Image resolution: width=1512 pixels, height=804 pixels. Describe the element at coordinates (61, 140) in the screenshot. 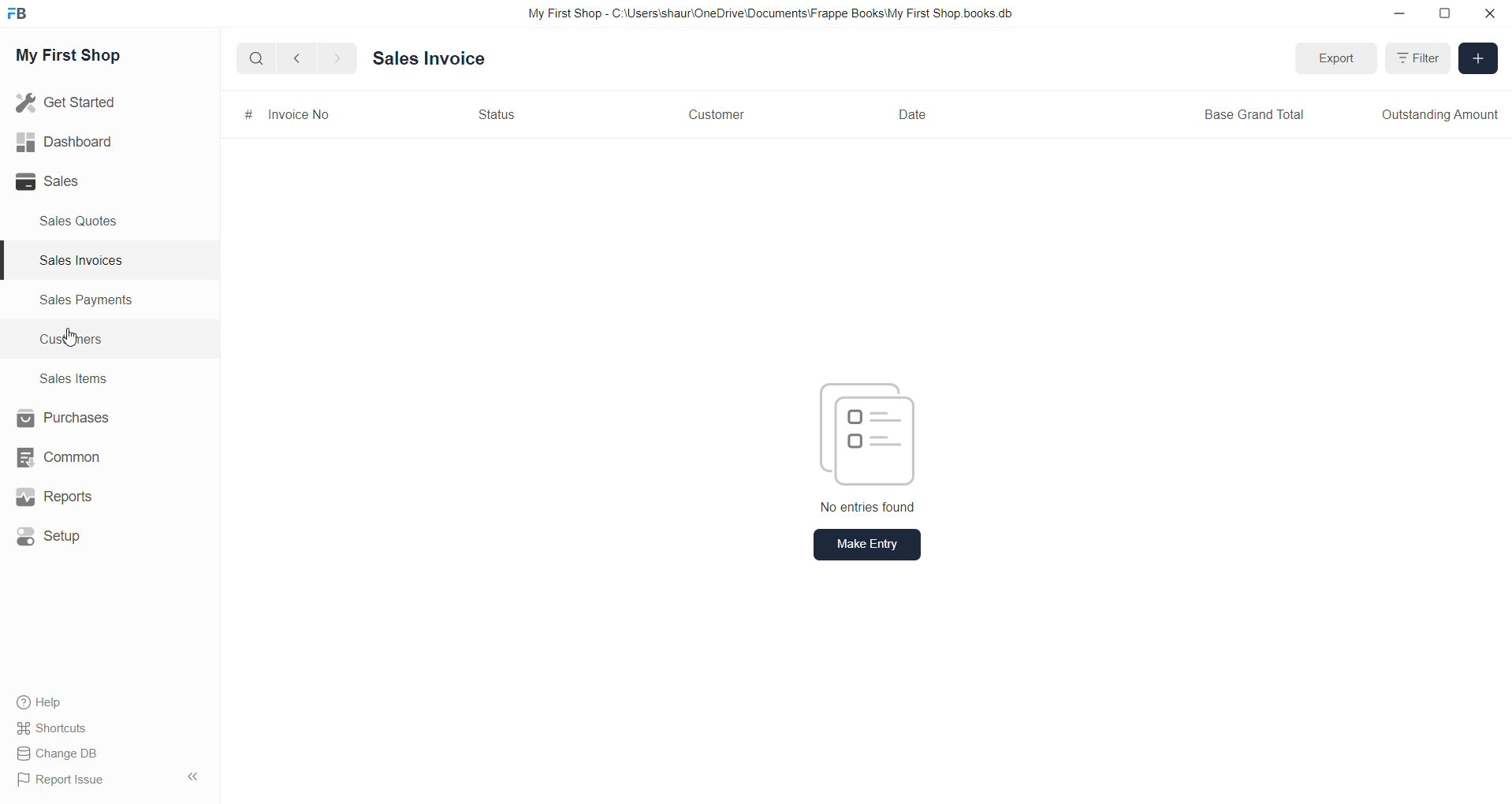

I see `Dashboard` at that location.